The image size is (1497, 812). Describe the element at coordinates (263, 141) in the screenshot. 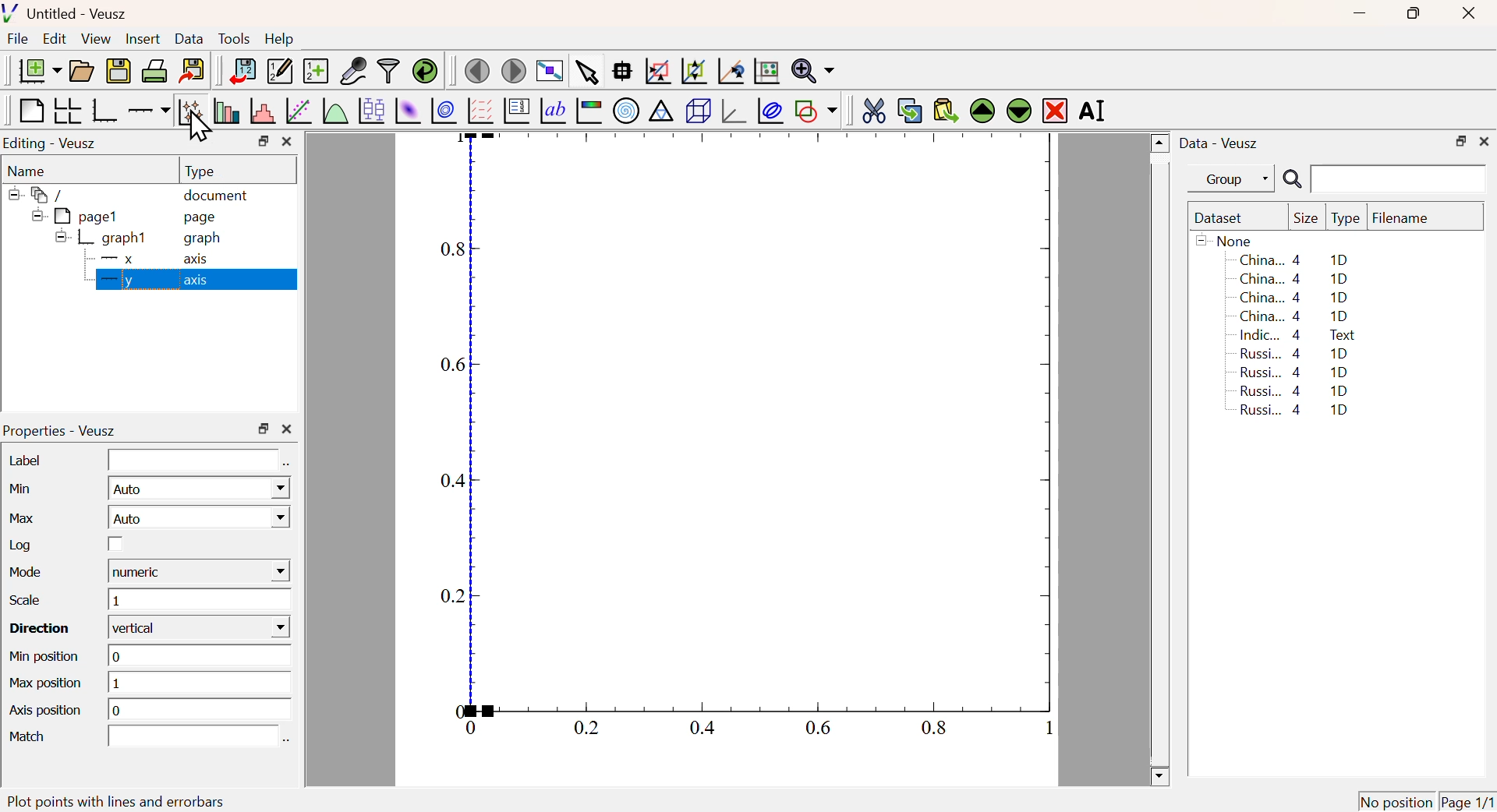

I see `Restore Down` at that location.